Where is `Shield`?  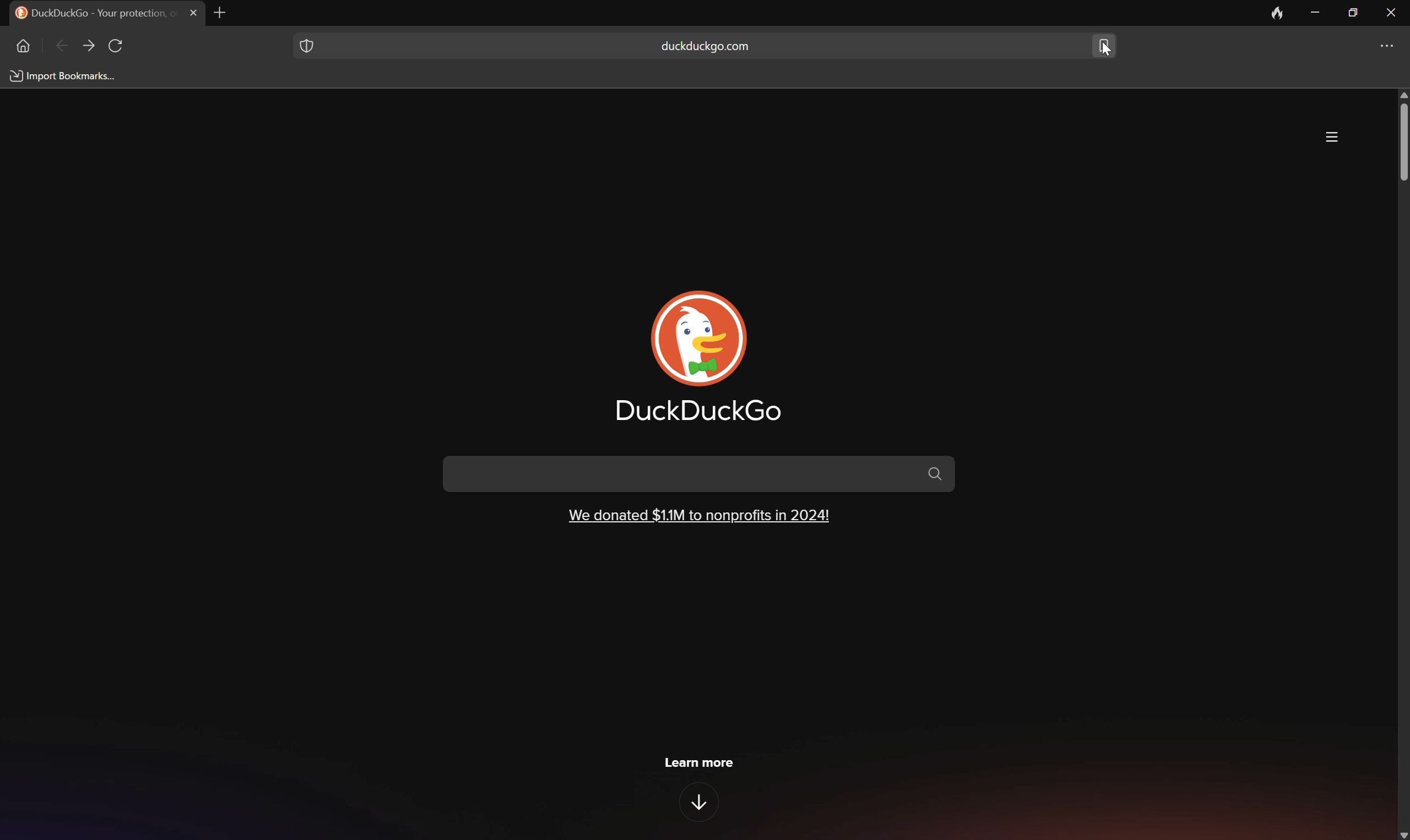 Shield is located at coordinates (305, 44).